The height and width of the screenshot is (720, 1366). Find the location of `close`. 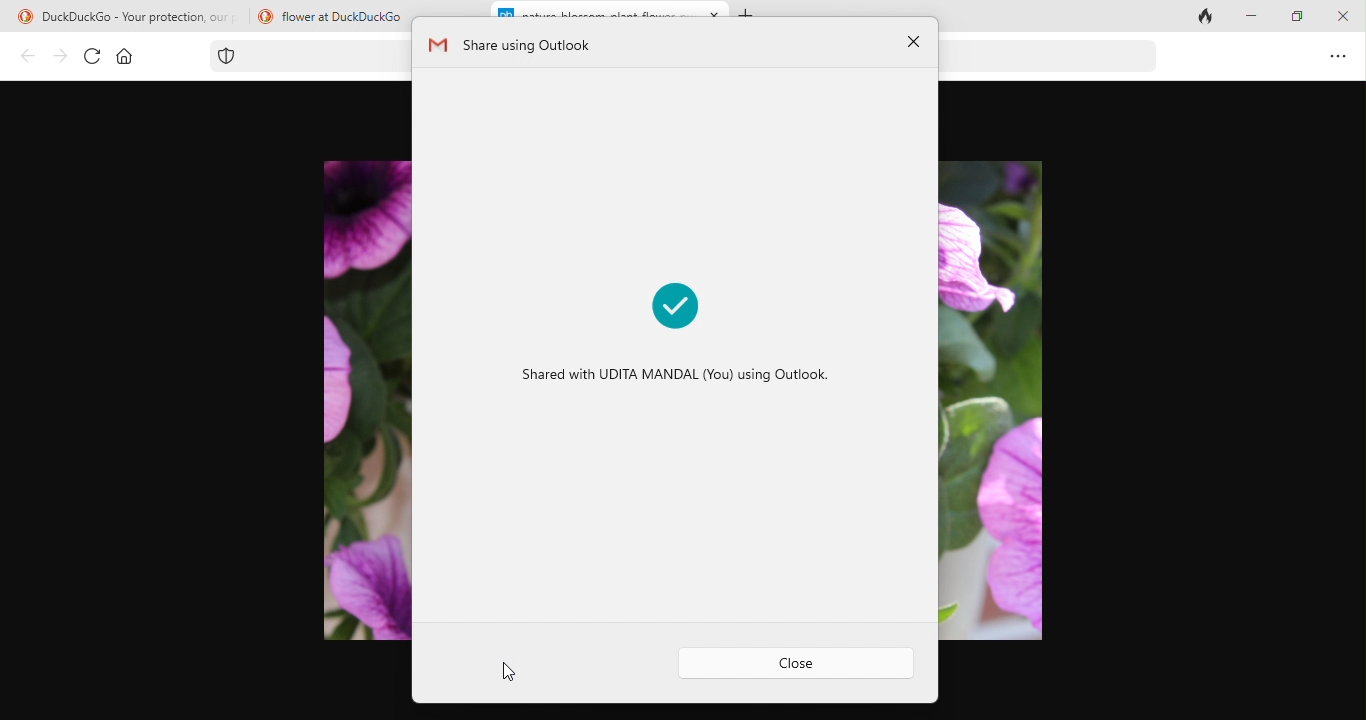

close is located at coordinates (911, 40).